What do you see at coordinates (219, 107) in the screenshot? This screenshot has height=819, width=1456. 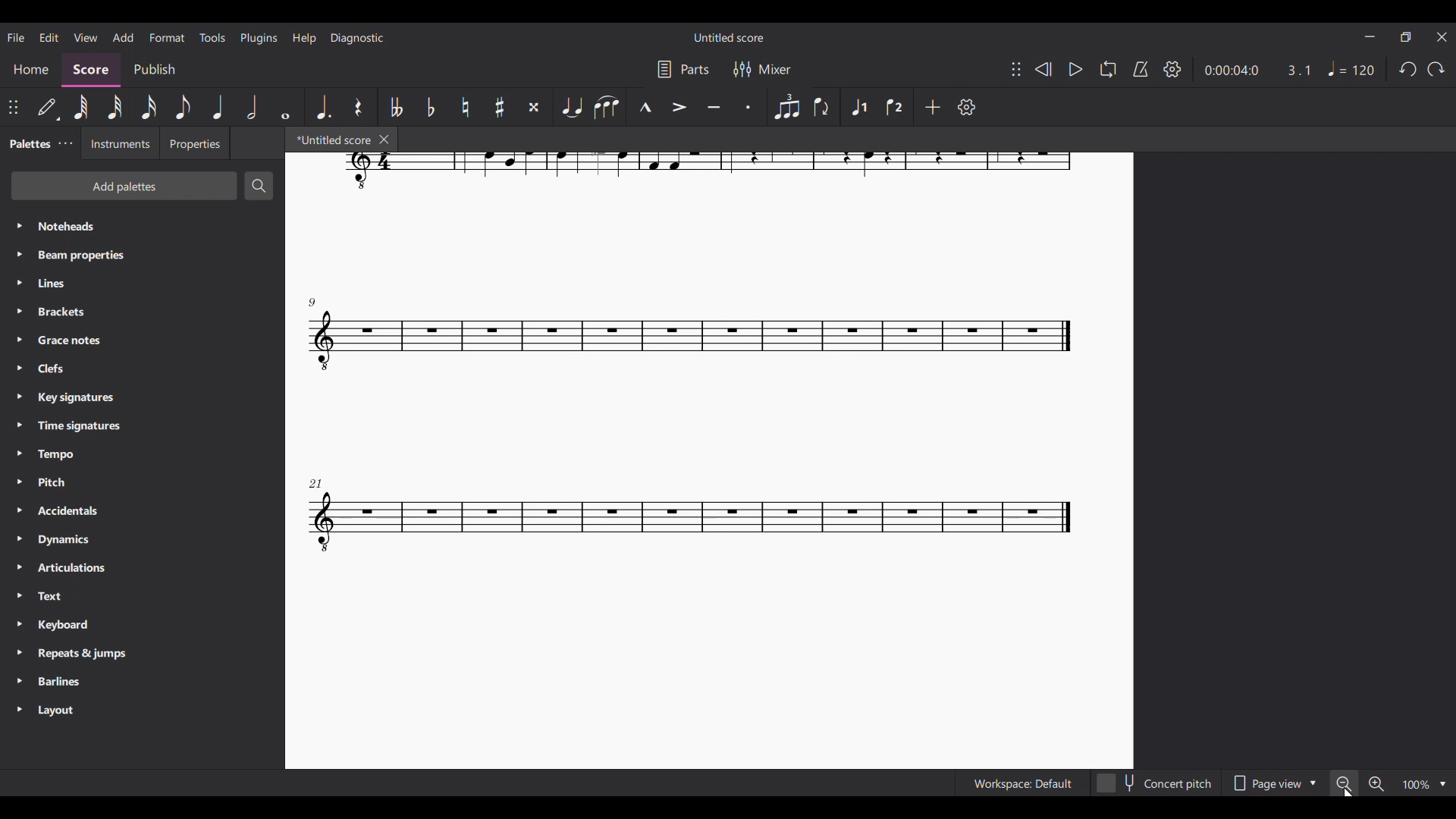 I see `Quarter note` at bounding box center [219, 107].